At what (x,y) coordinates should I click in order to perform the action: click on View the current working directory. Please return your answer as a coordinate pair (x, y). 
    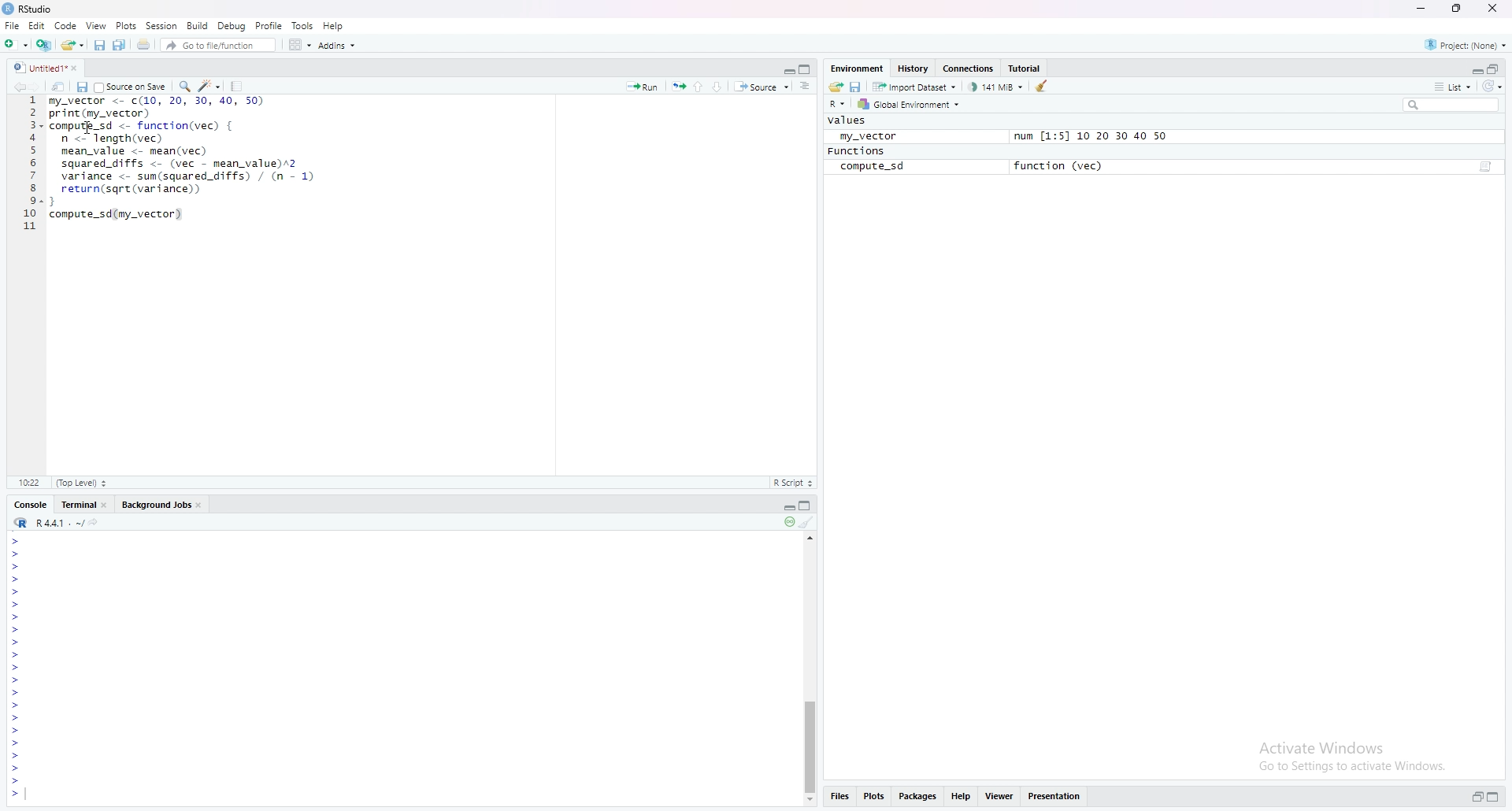
    Looking at the image, I should click on (98, 521).